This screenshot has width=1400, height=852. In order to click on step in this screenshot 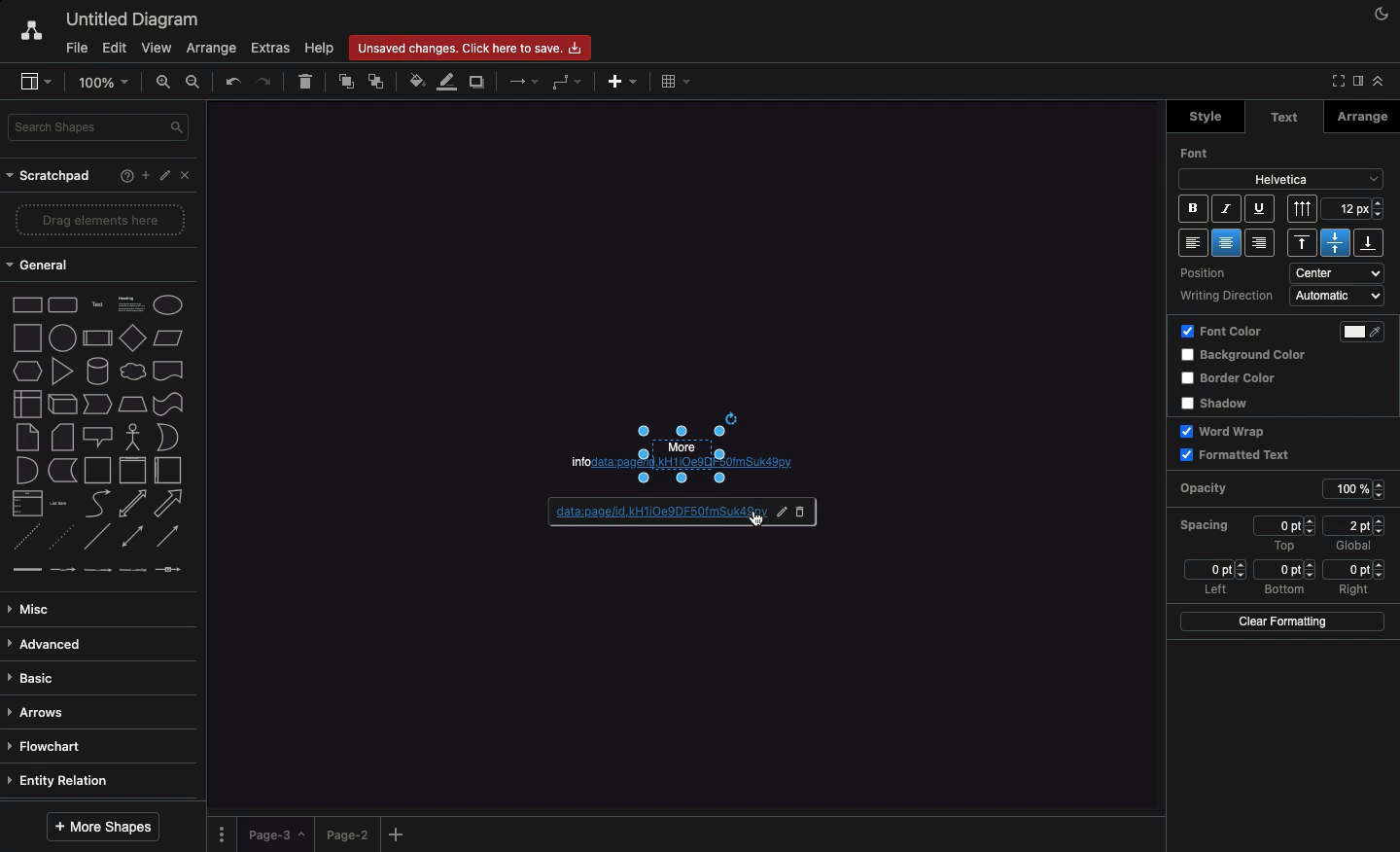, I will do `click(97, 404)`.